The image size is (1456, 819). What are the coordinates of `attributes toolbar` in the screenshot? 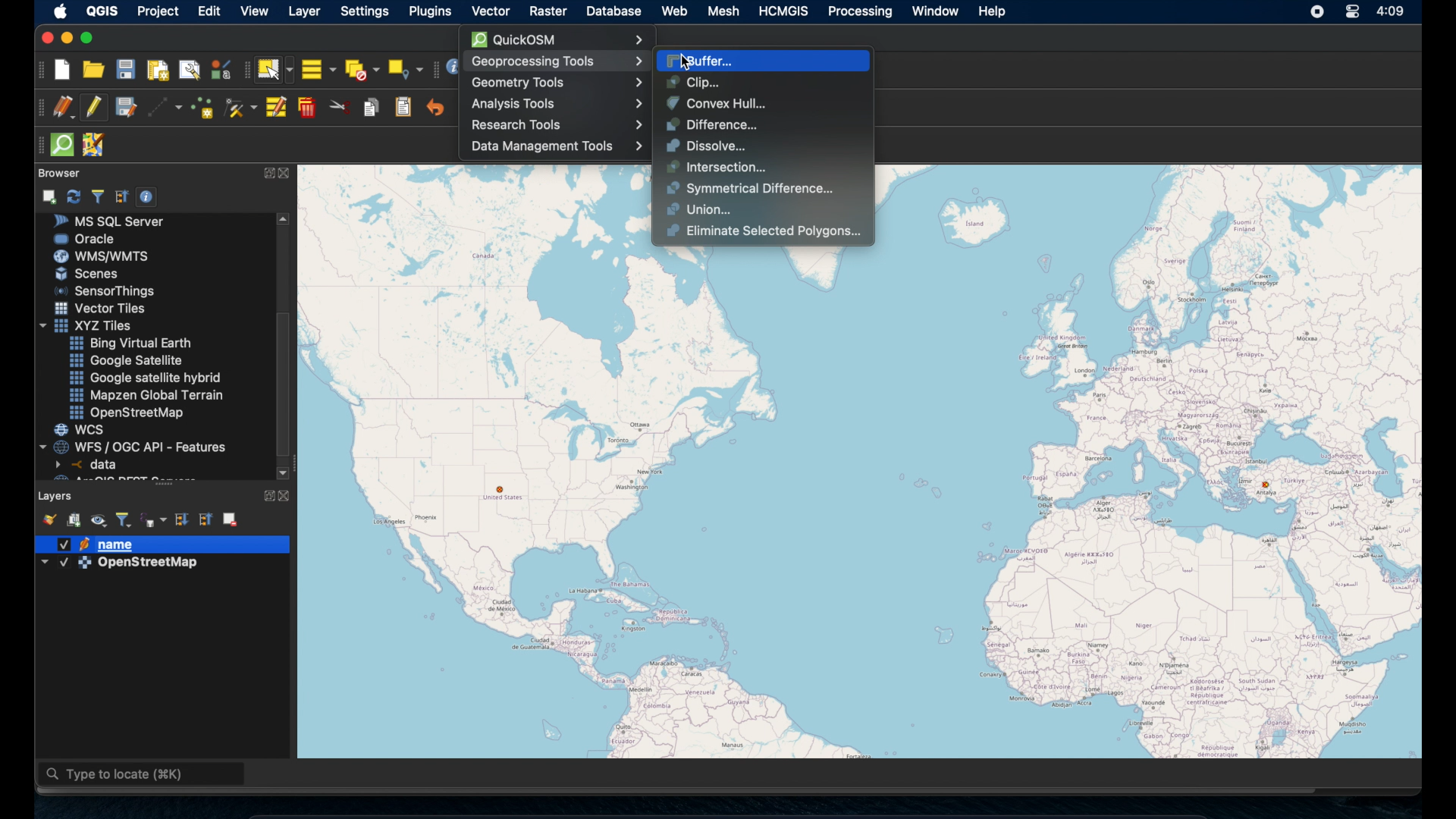 It's located at (435, 68).